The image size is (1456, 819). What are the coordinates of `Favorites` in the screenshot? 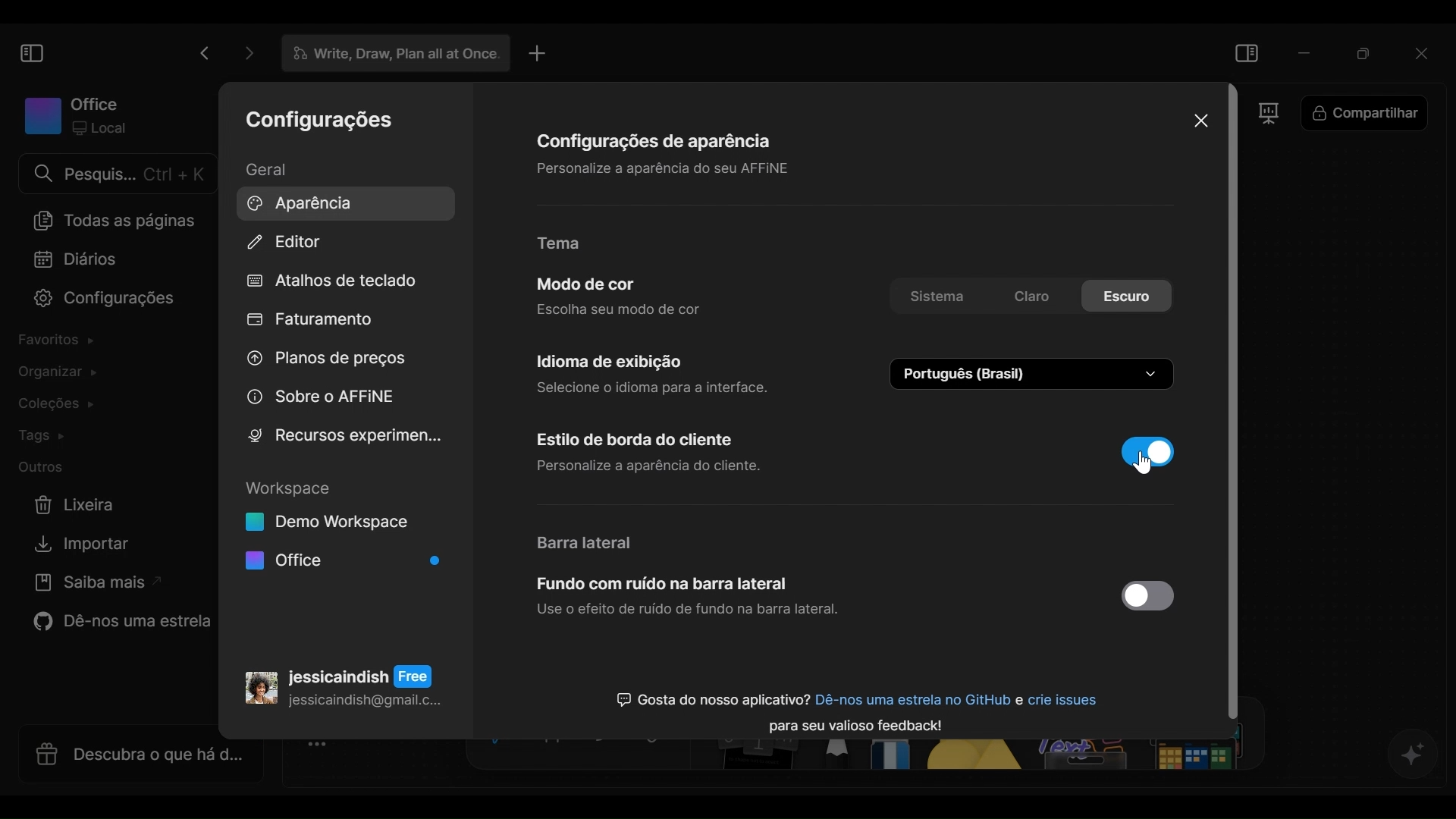 It's located at (61, 343).